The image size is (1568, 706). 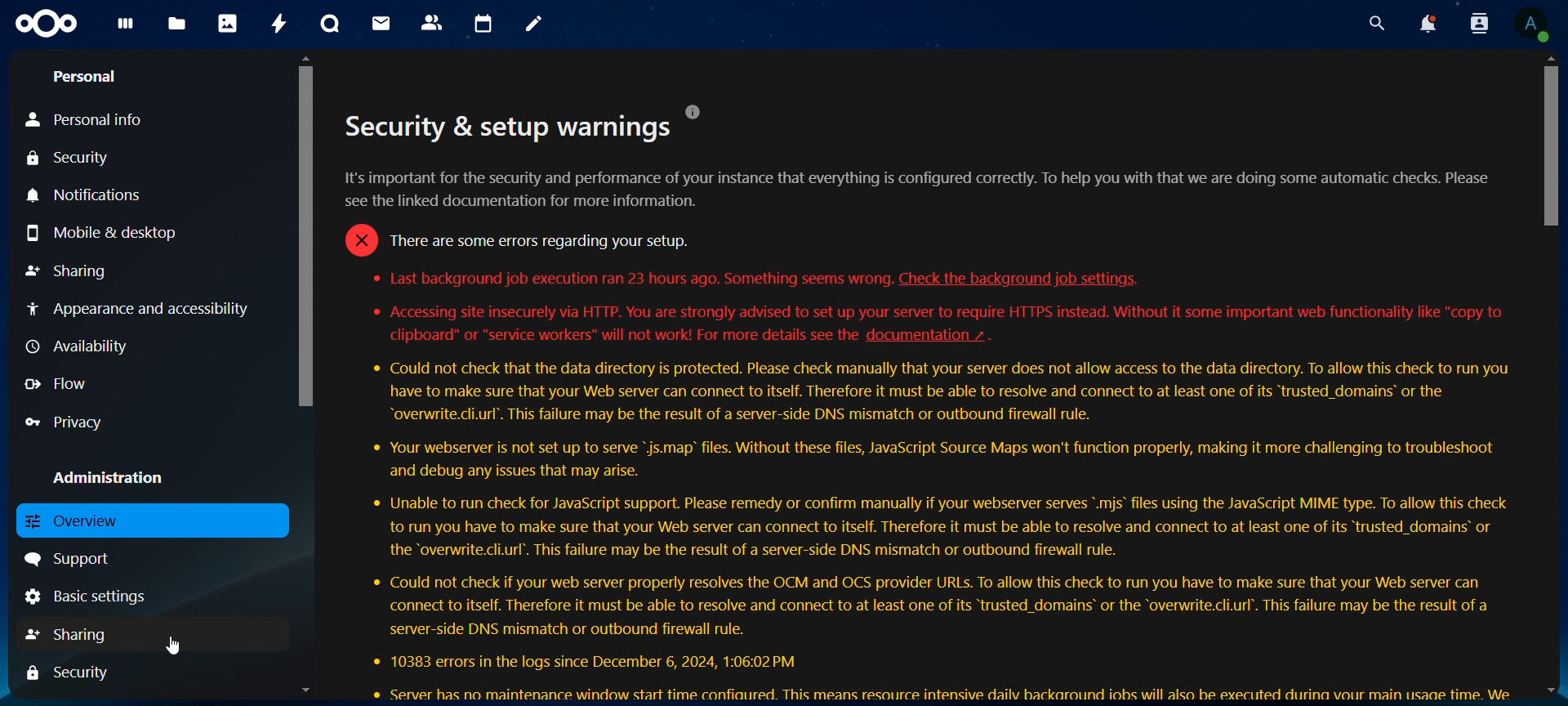 I want to click on calendar, so click(x=482, y=25).